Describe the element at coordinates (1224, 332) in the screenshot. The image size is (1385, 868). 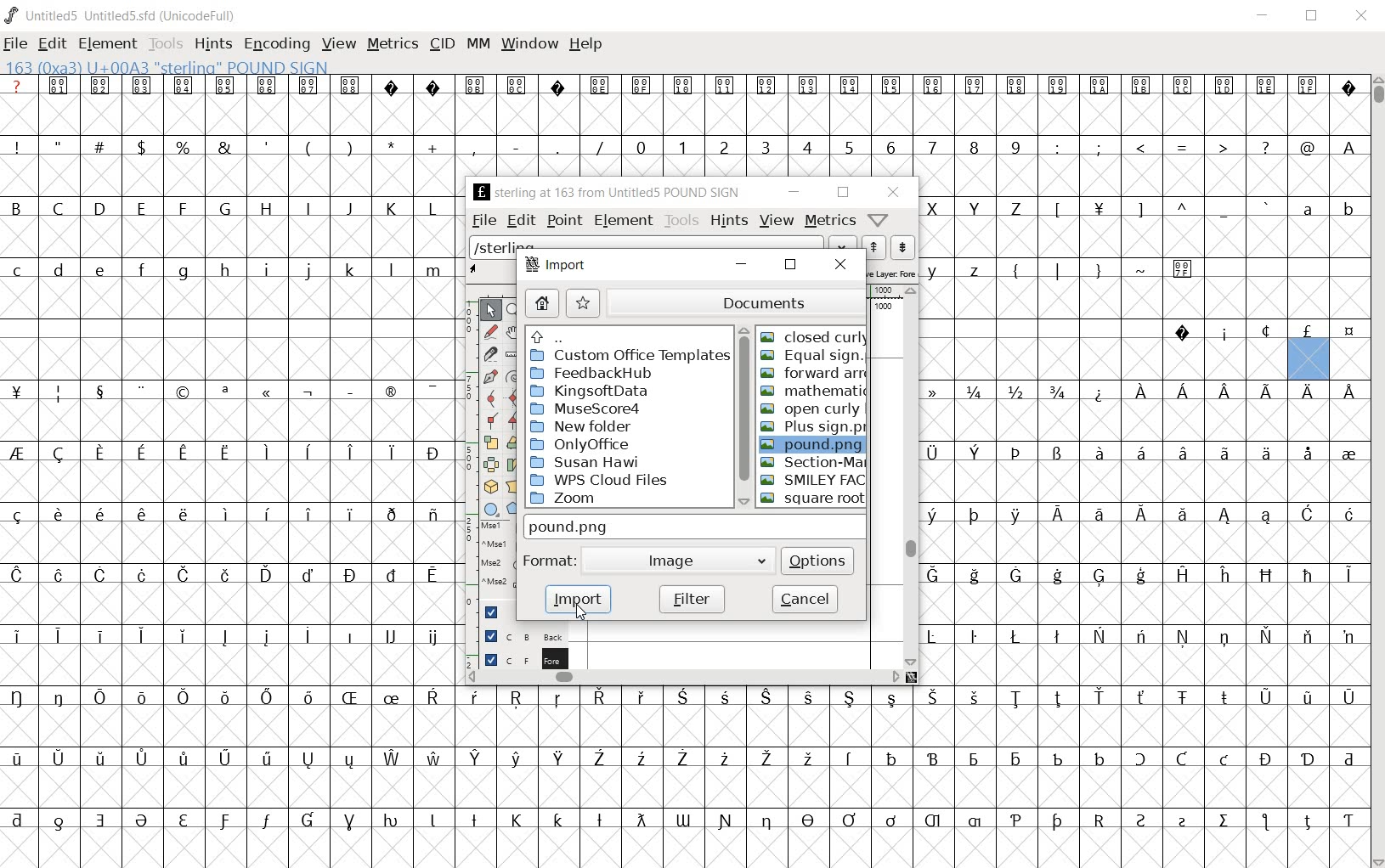
I see `Symbol` at that location.